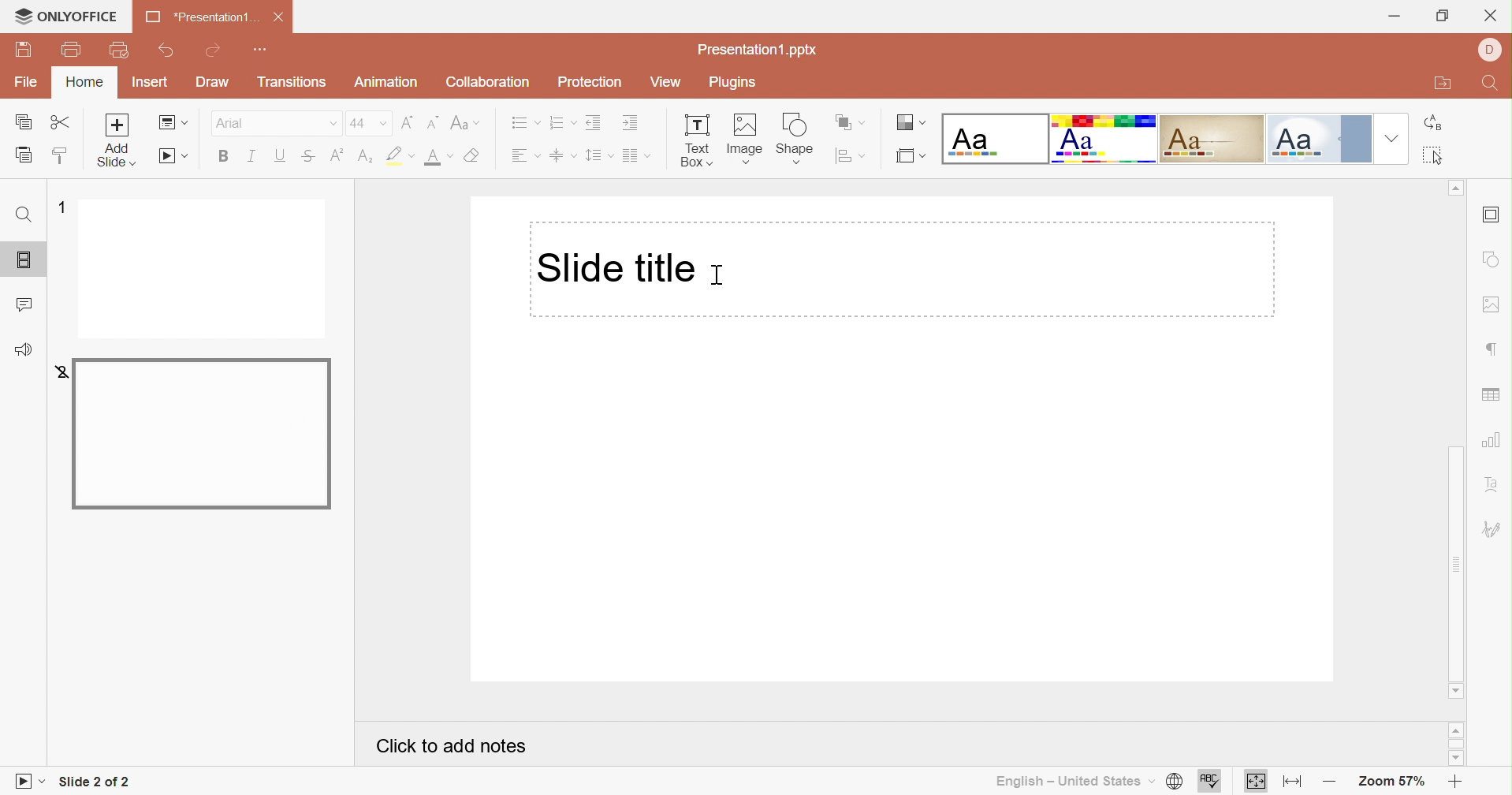  Describe the element at coordinates (336, 155) in the screenshot. I see `Superscript` at that location.